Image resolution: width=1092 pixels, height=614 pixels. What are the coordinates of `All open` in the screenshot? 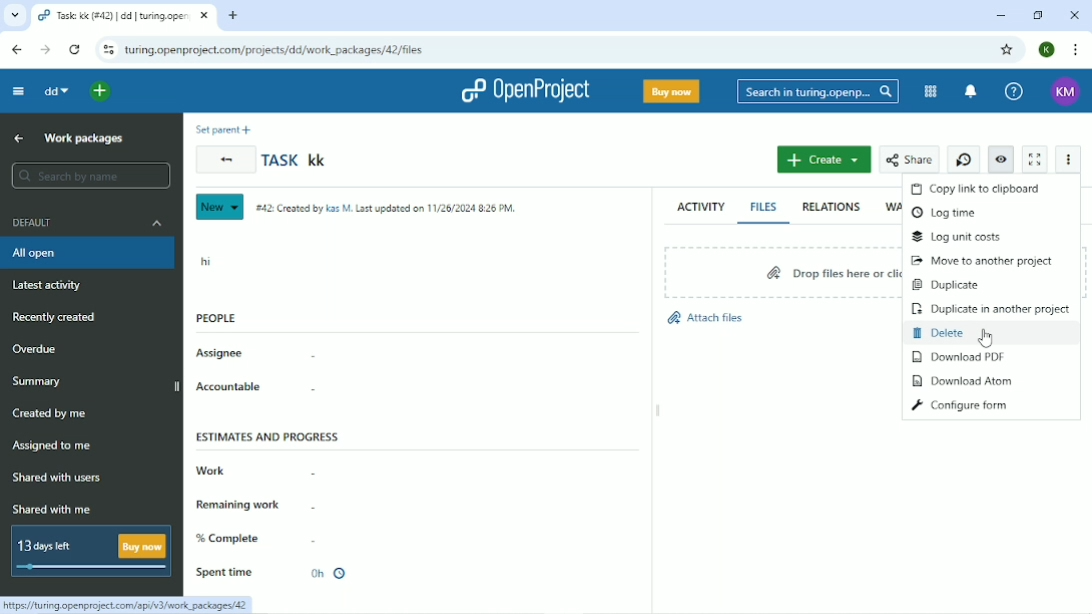 It's located at (89, 254).